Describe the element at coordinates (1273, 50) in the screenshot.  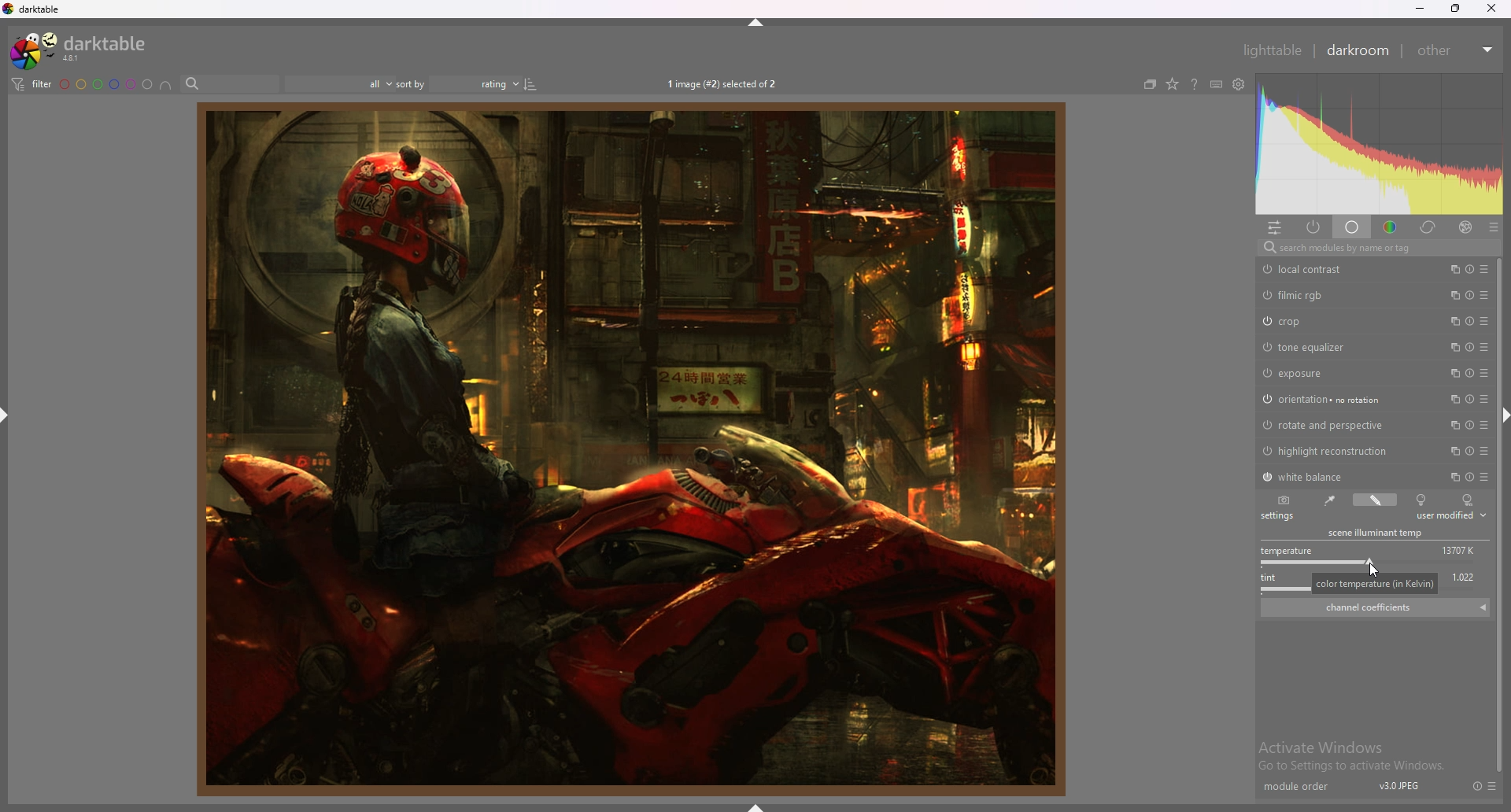
I see `lighttable` at that location.